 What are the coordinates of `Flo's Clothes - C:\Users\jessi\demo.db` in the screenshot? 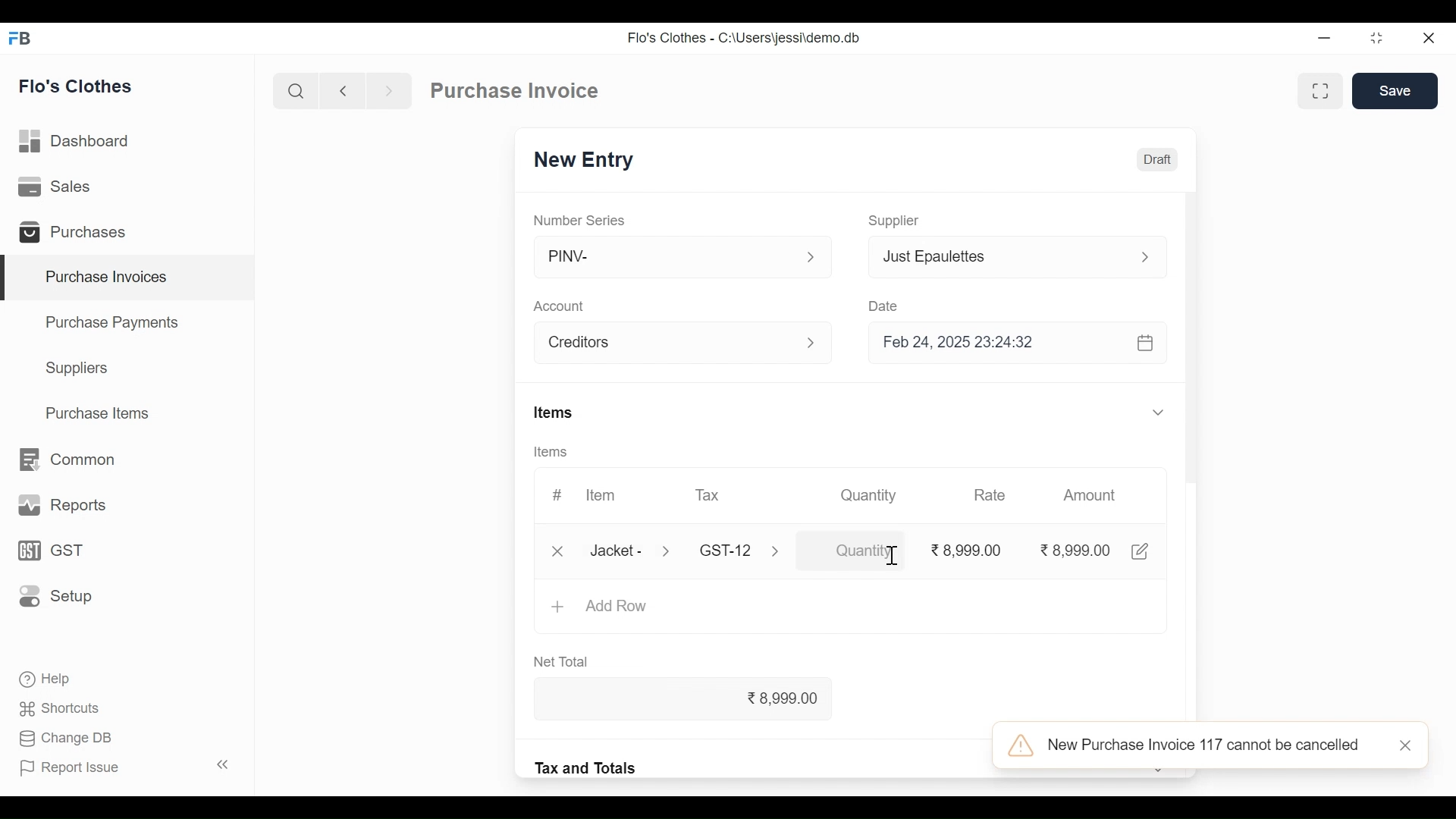 It's located at (746, 36).